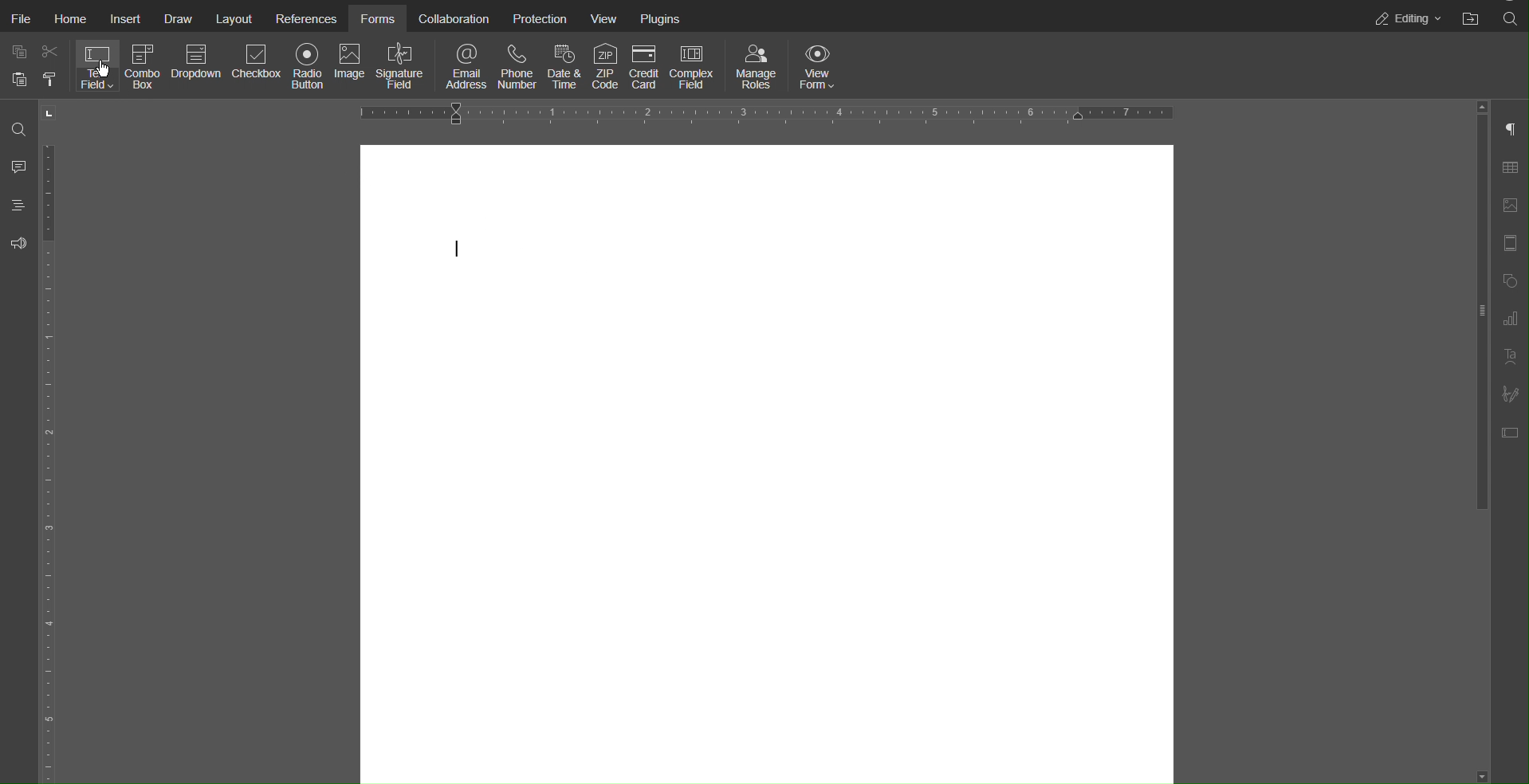  I want to click on File, so click(20, 20).